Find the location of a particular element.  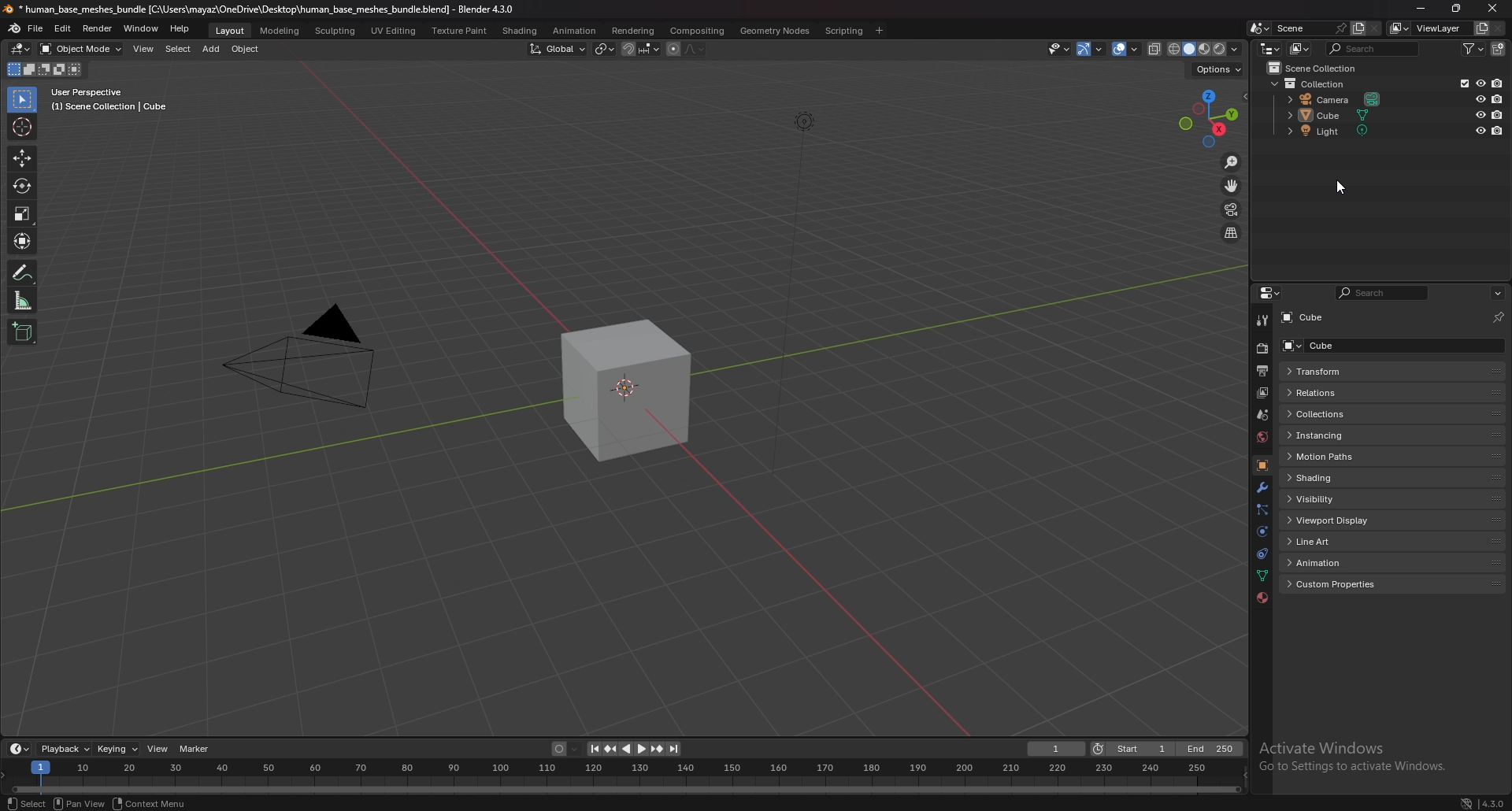

hide in viewport is located at coordinates (1480, 130).